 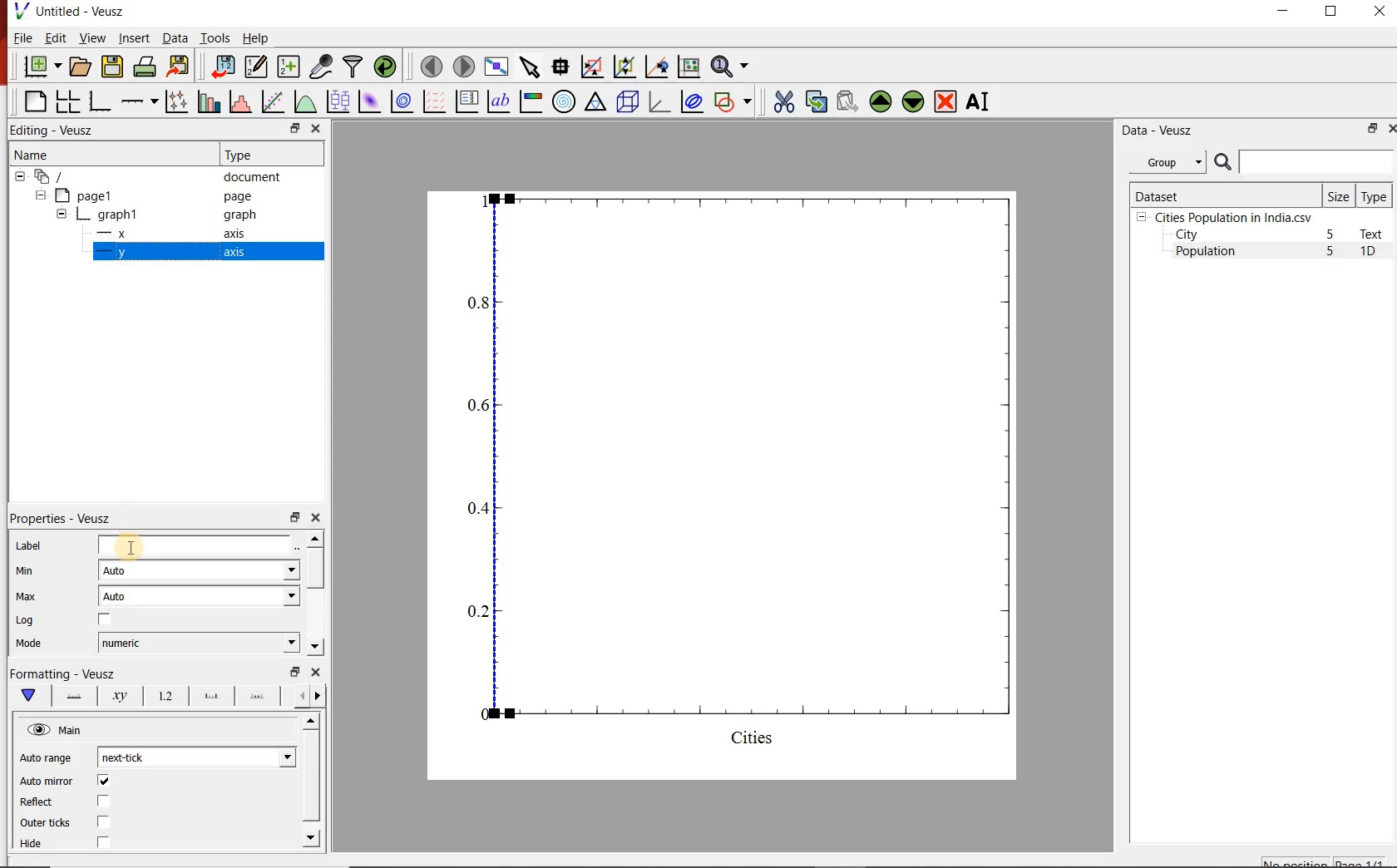 I want to click on CLOSE, so click(x=1378, y=13).